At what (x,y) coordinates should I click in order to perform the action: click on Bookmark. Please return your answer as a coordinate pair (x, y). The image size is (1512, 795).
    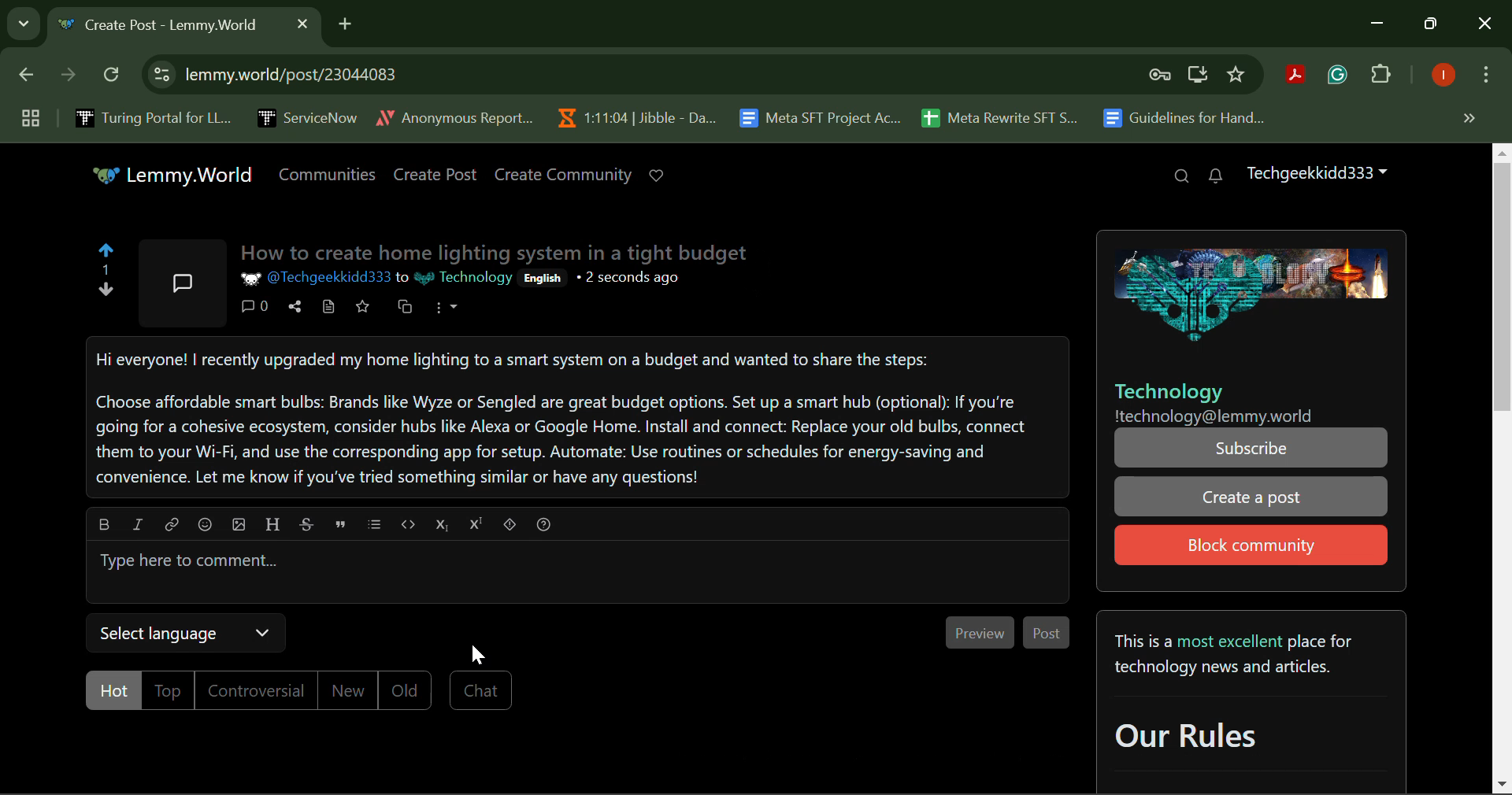
    Looking at the image, I should click on (1237, 75).